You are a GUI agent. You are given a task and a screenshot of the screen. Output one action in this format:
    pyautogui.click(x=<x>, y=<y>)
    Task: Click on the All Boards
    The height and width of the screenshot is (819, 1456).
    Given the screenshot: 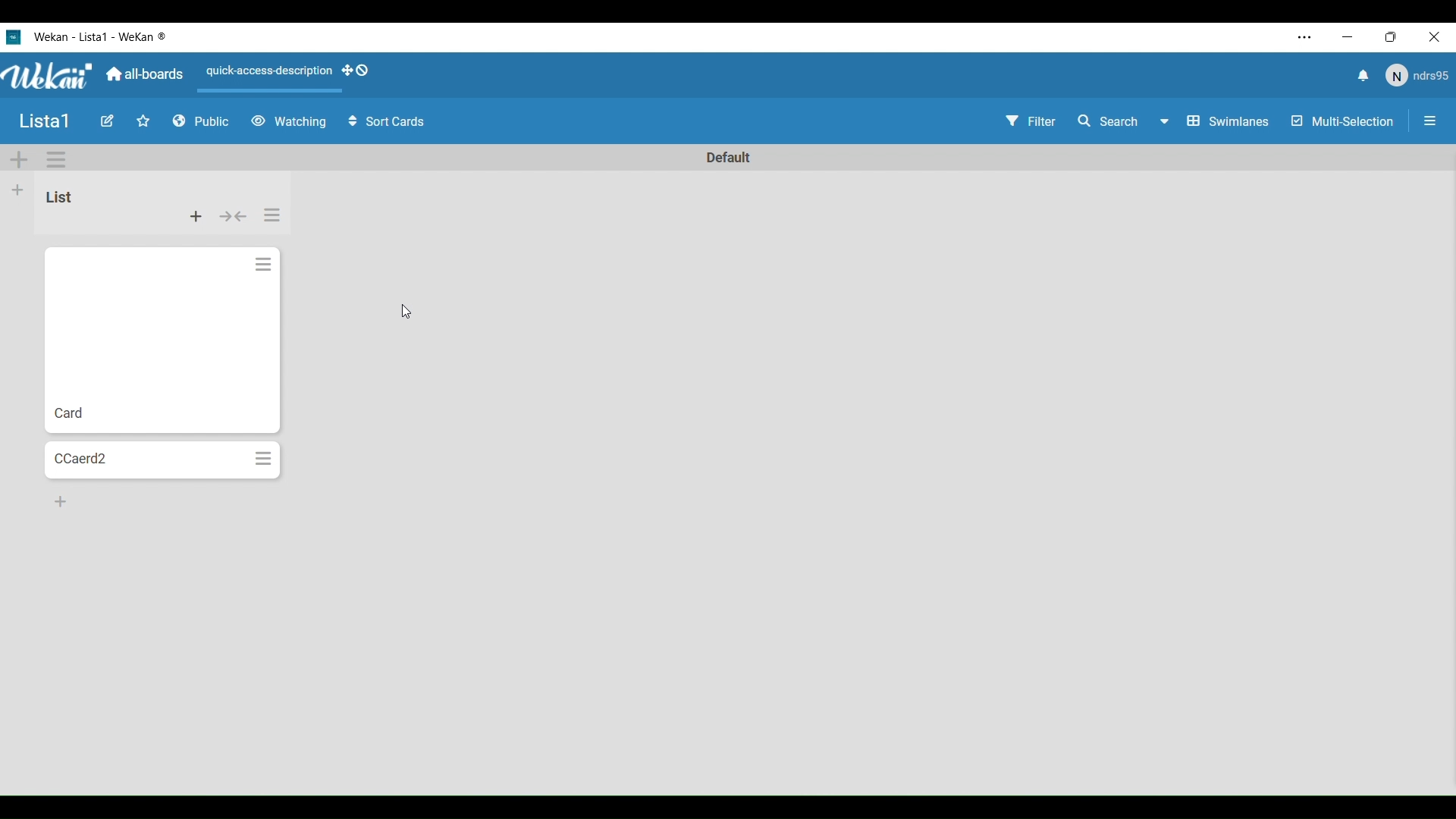 What is the action you would take?
    pyautogui.click(x=146, y=74)
    